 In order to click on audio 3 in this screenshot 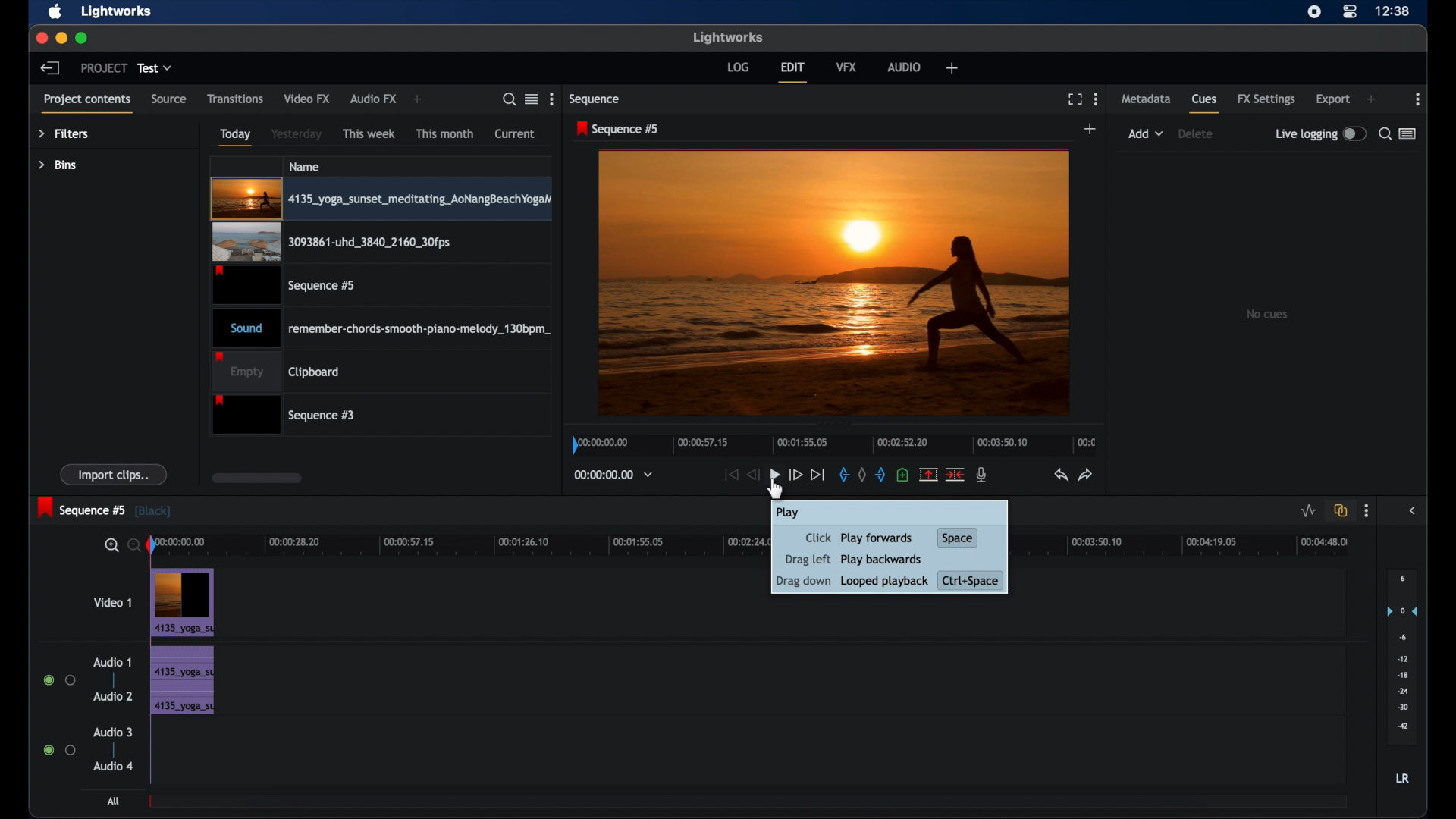, I will do `click(111, 733)`.